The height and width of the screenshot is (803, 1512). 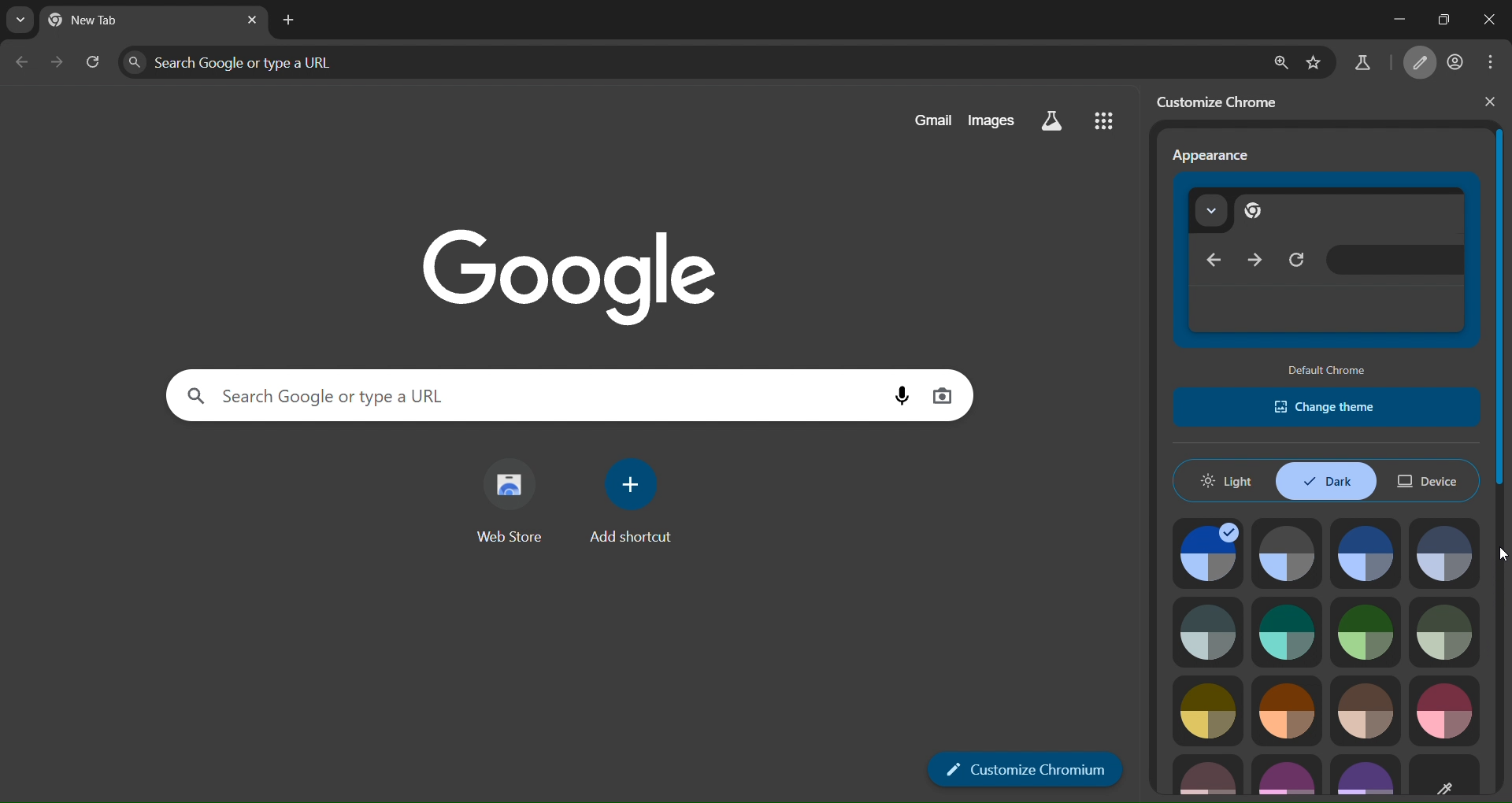 I want to click on appearance, so click(x=1212, y=156).